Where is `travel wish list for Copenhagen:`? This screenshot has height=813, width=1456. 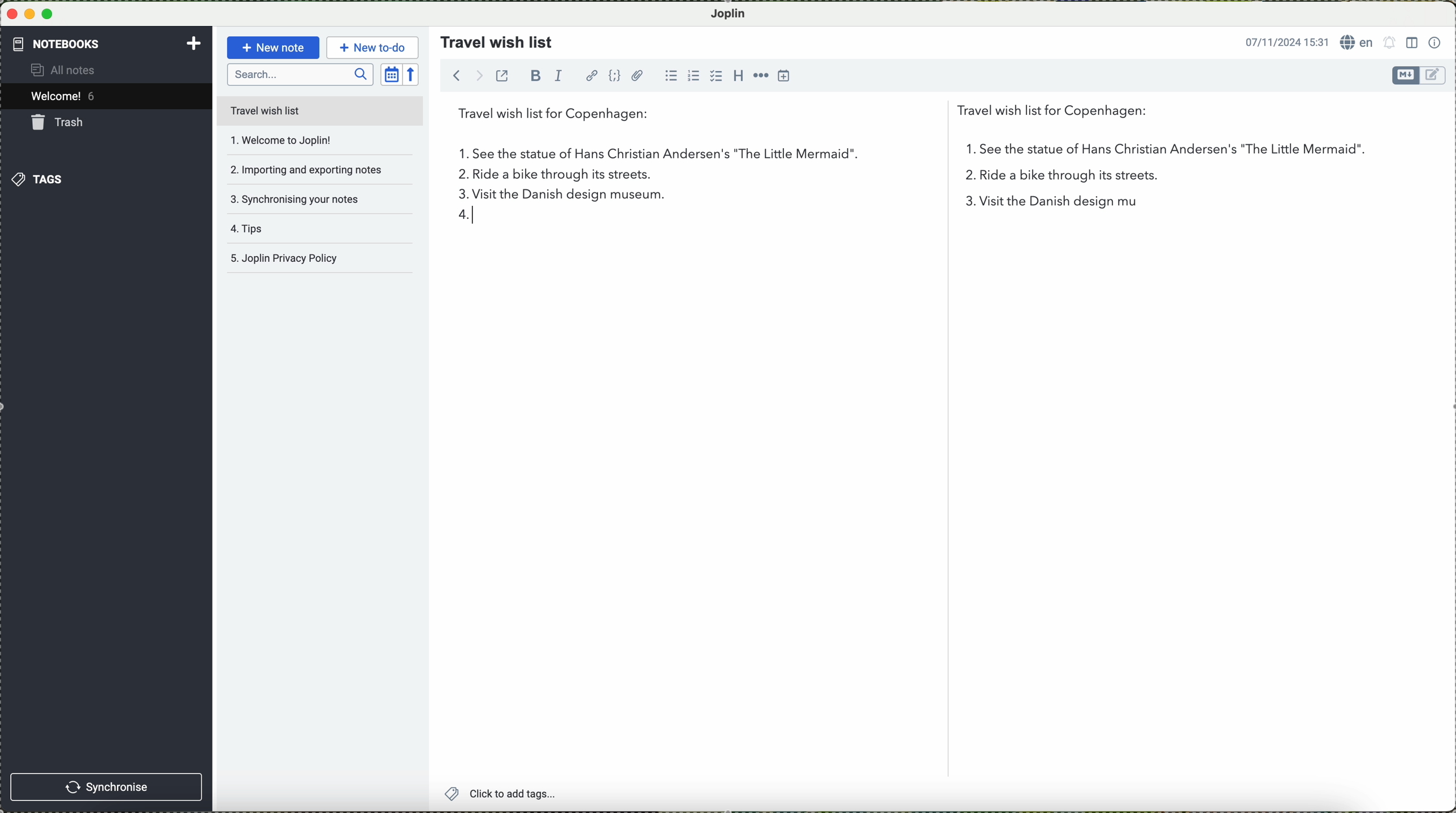
travel wish list for Copenhagen: is located at coordinates (809, 116).